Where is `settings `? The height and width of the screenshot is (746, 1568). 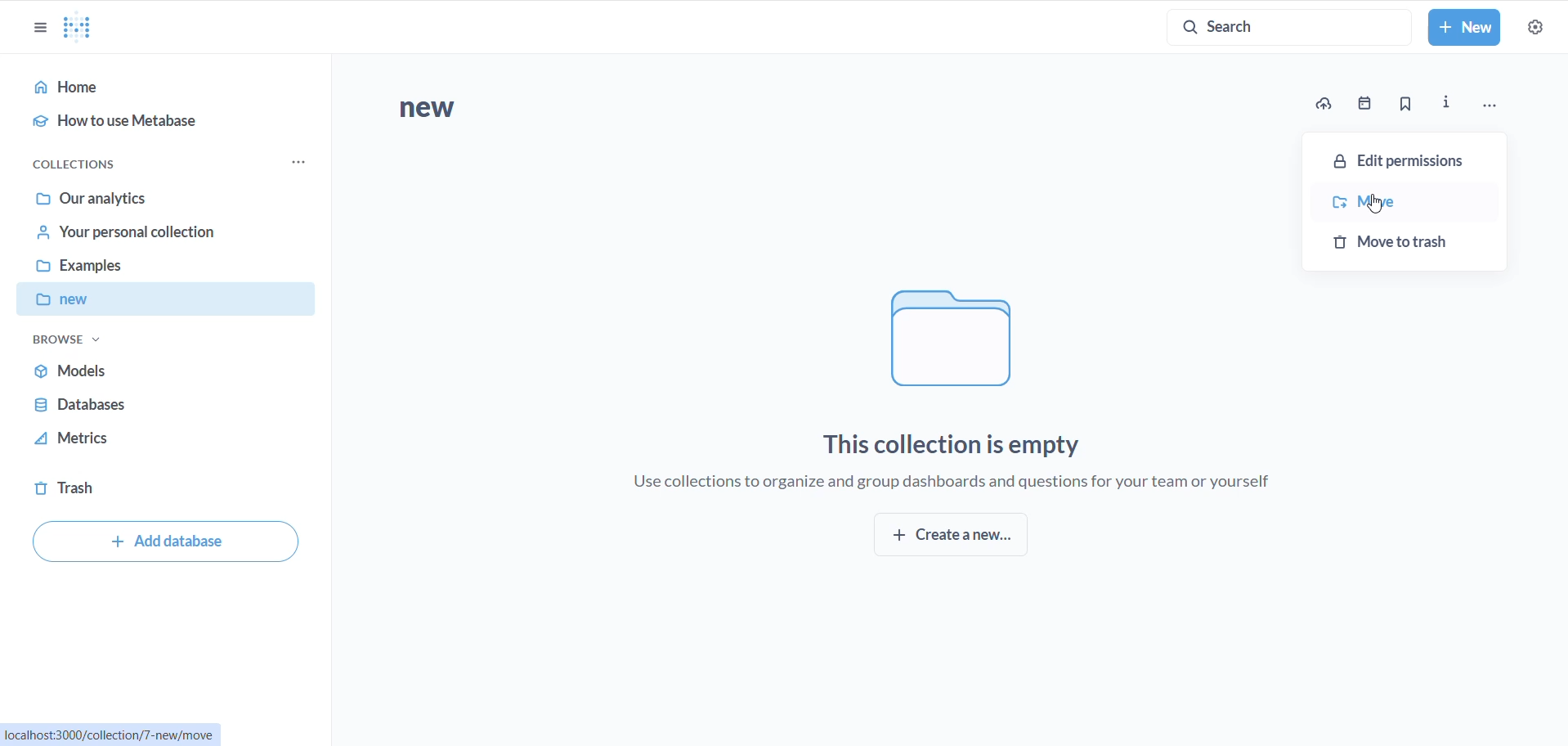 settings  is located at coordinates (1537, 29).